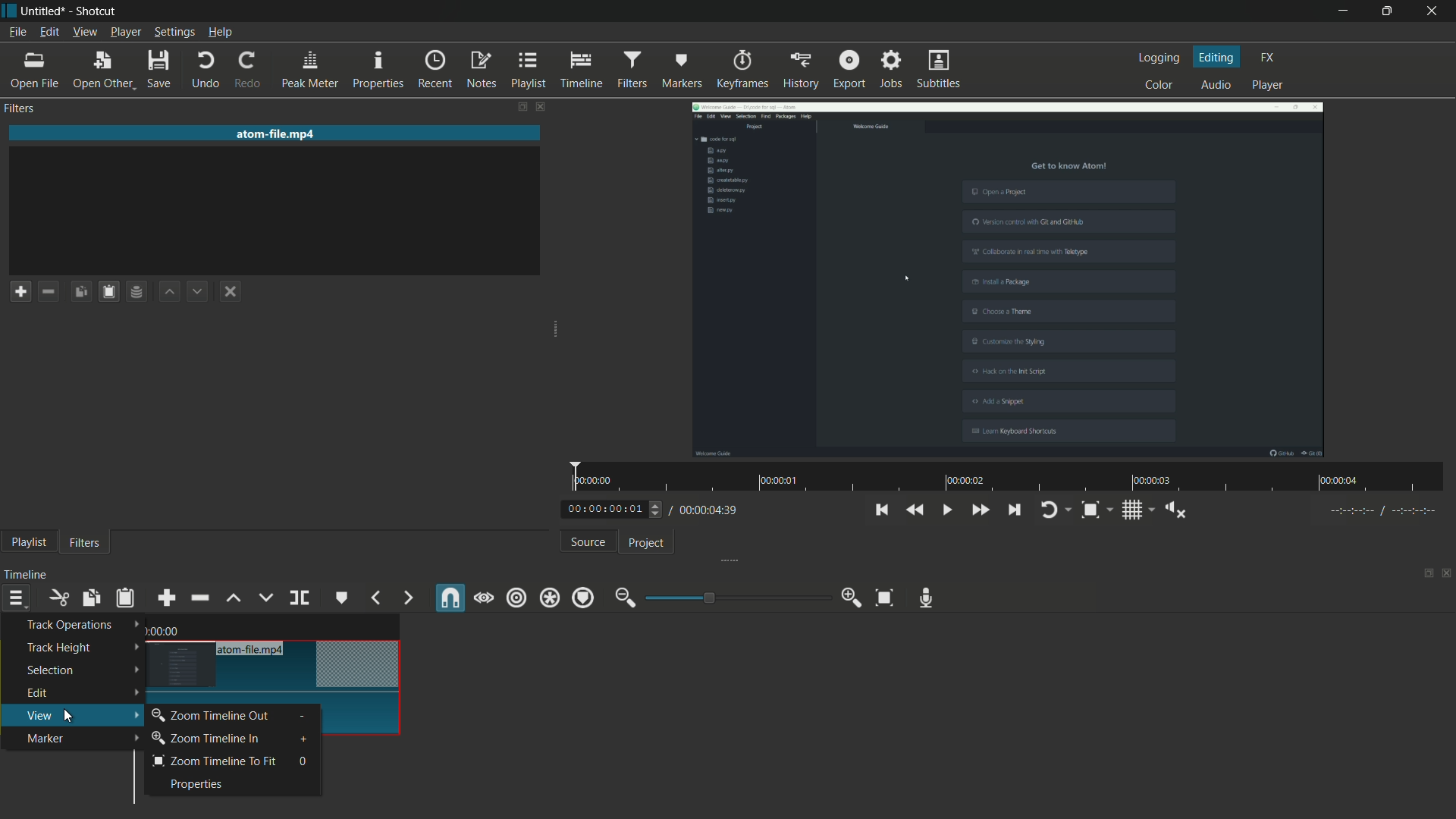  I want to click on overwrite, so click(265, 597).